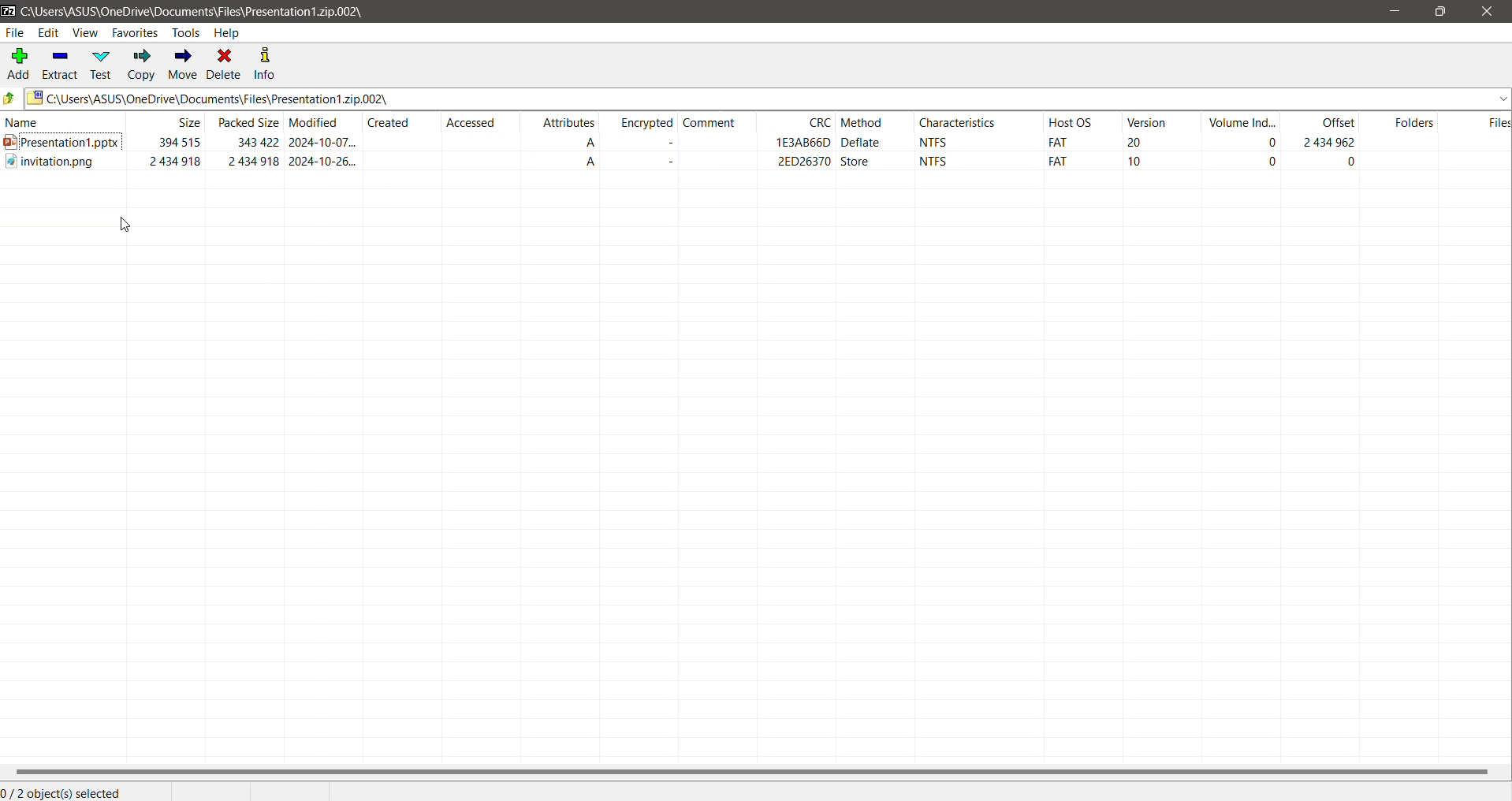 This screenshot has height=801, width=1512. Describe the element at coordinates (1270, 141) in the screenshot. I see `0` at that location.